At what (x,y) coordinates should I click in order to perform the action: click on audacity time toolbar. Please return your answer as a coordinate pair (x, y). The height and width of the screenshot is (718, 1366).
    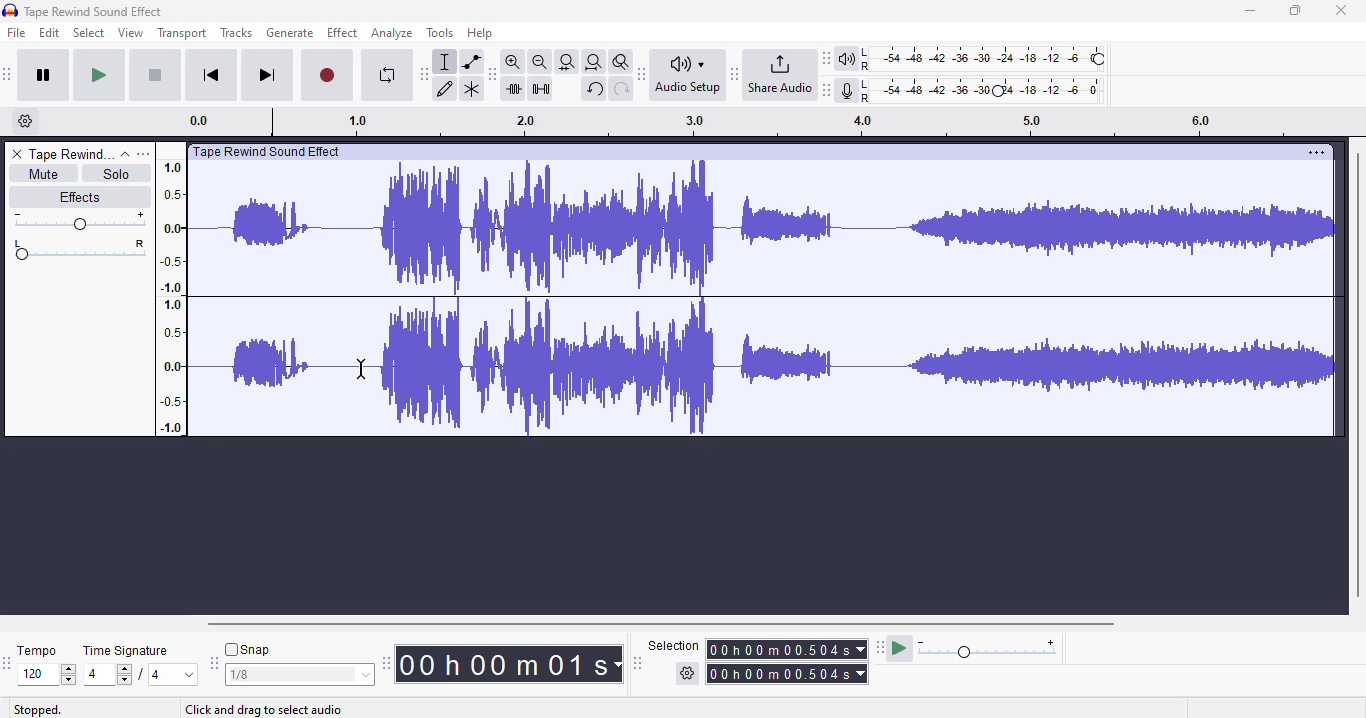
    Looking at the image, I should click on (386, 663).